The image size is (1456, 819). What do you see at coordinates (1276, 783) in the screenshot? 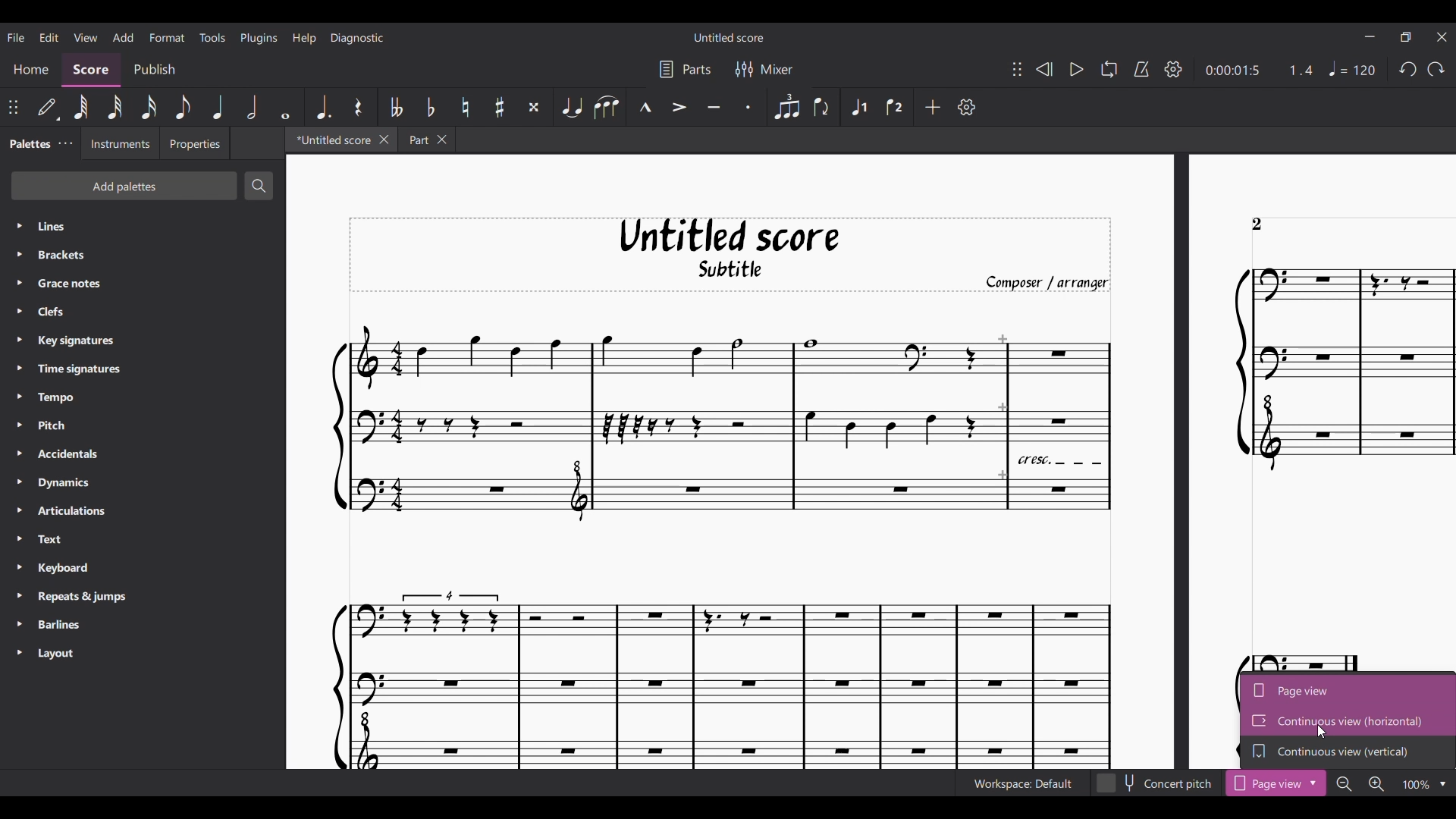
I see `Current selection highlighted` at bounding box center [1276, 783].